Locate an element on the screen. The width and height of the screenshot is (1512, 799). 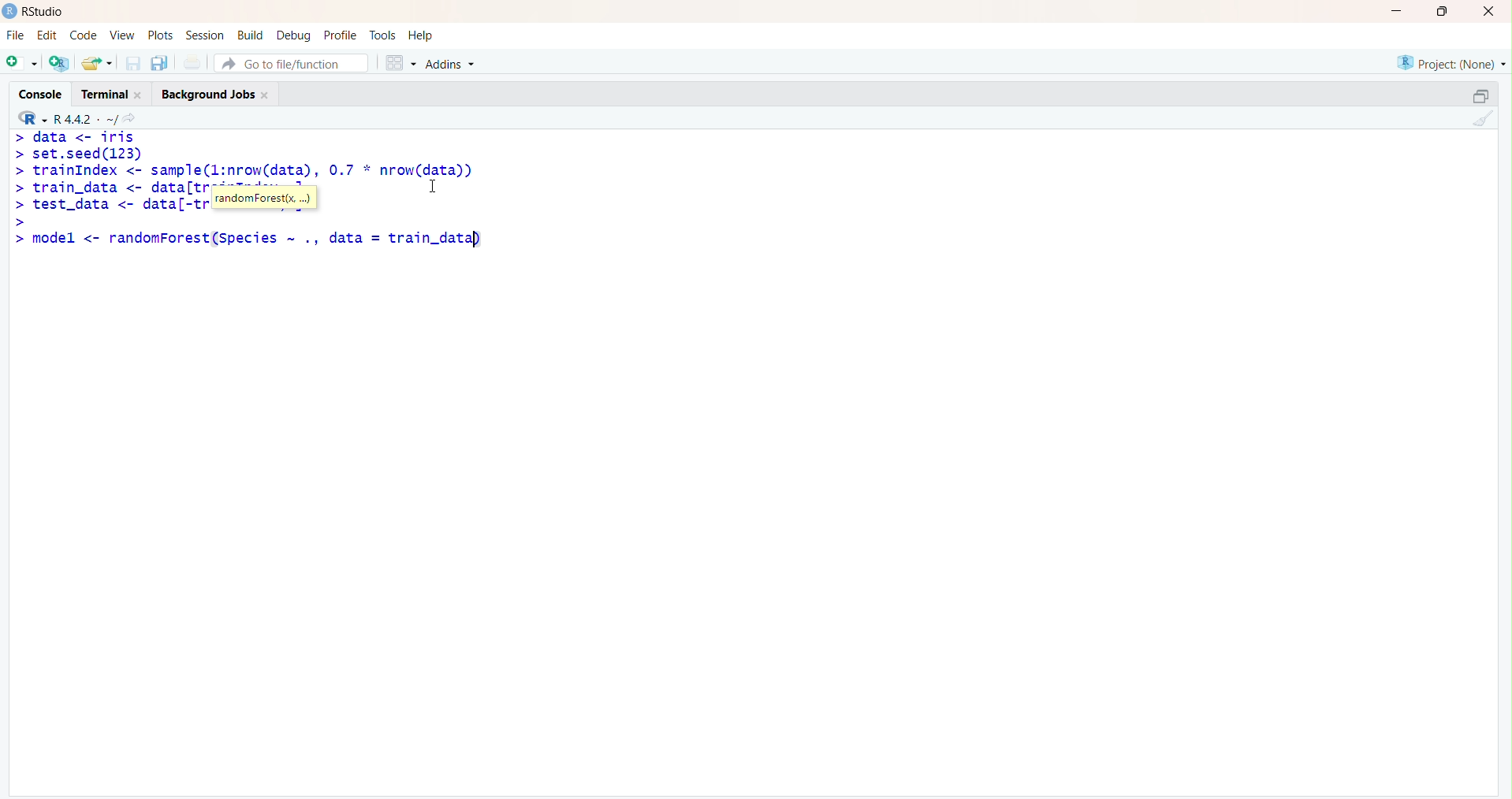
Prompt cursor is located at coordinates (20, 221).